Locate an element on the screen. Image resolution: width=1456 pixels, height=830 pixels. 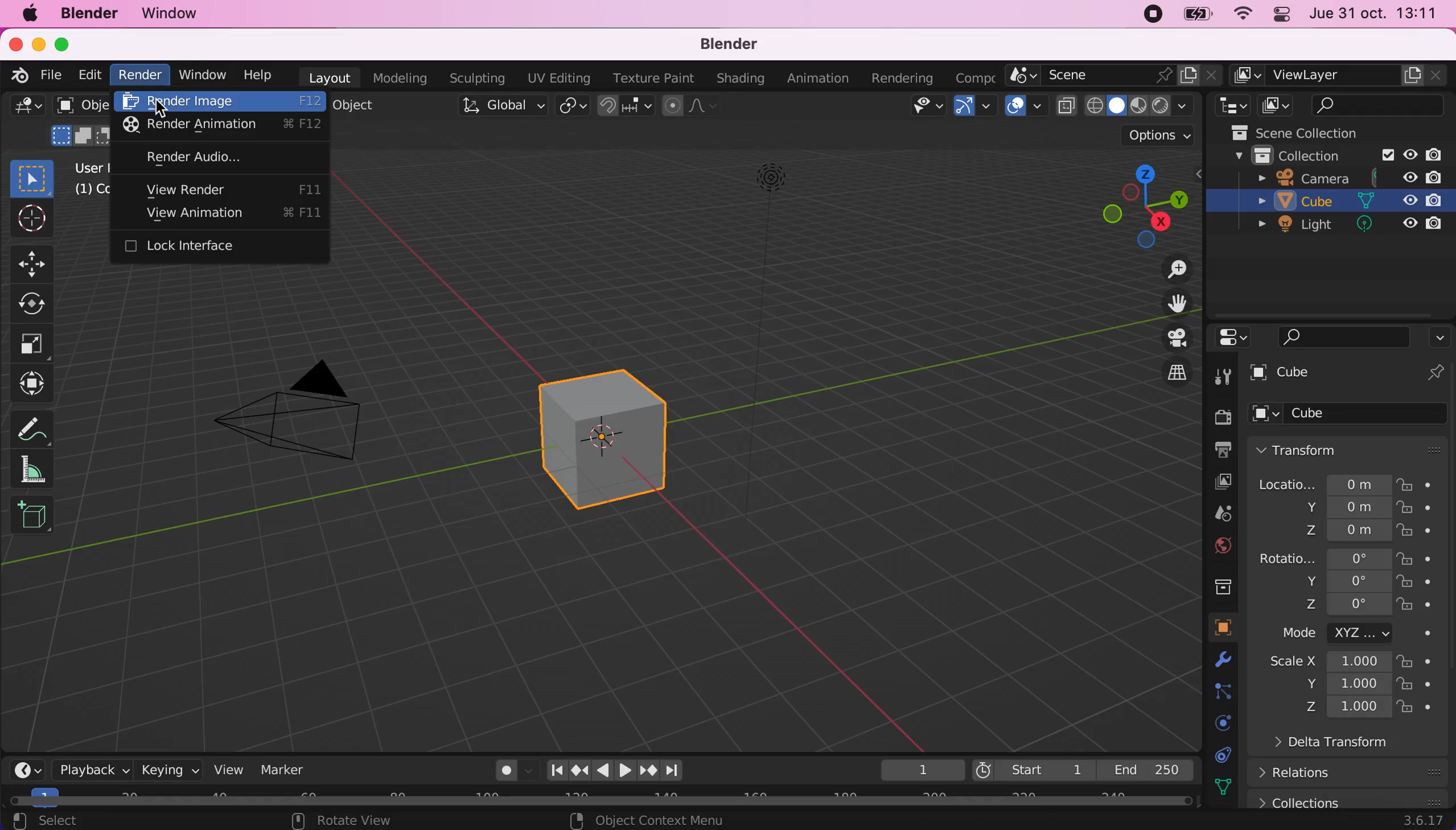
cube is located at coordinates (610, 436).